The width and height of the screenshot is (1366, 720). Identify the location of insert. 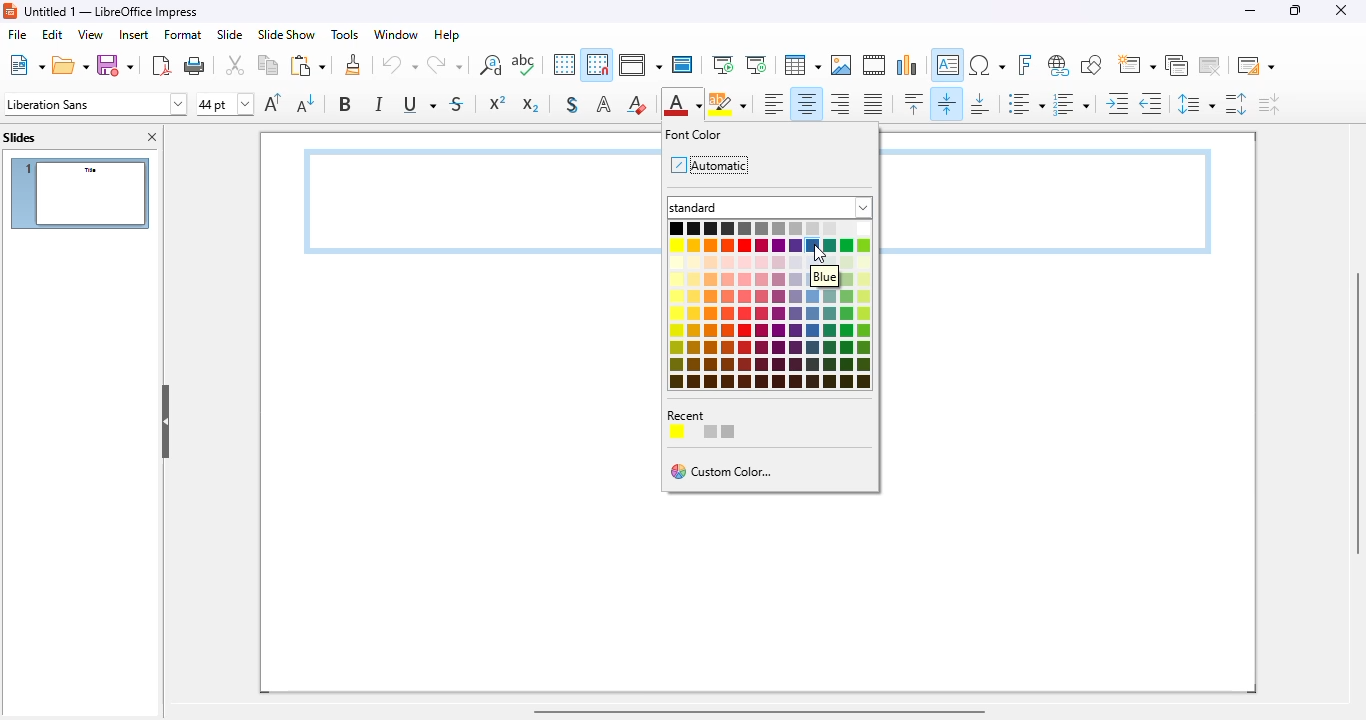
(134, 35).